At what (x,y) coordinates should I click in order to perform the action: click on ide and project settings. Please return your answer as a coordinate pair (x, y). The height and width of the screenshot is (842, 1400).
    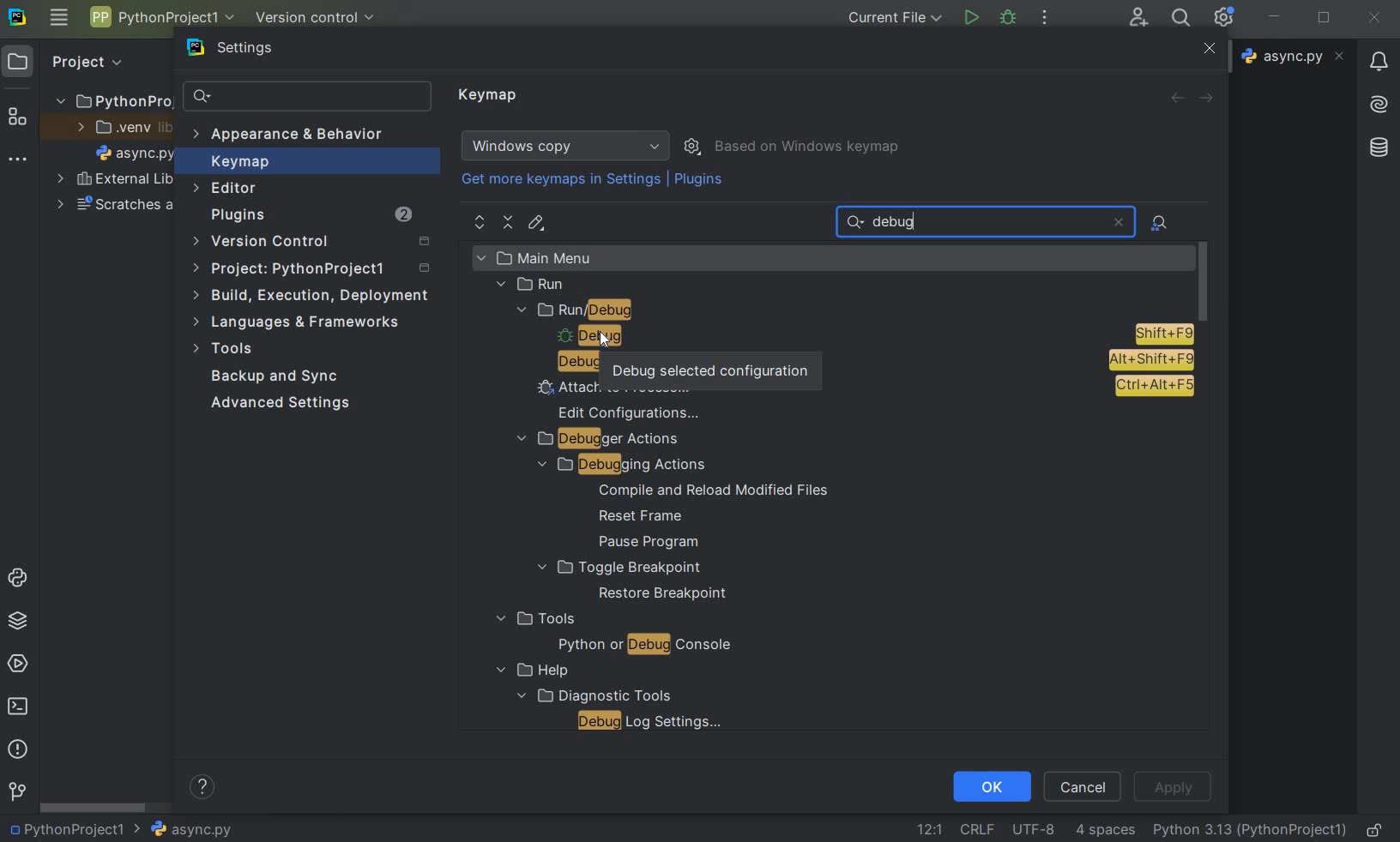
    Looking at the image, I should click on (1225, 17).